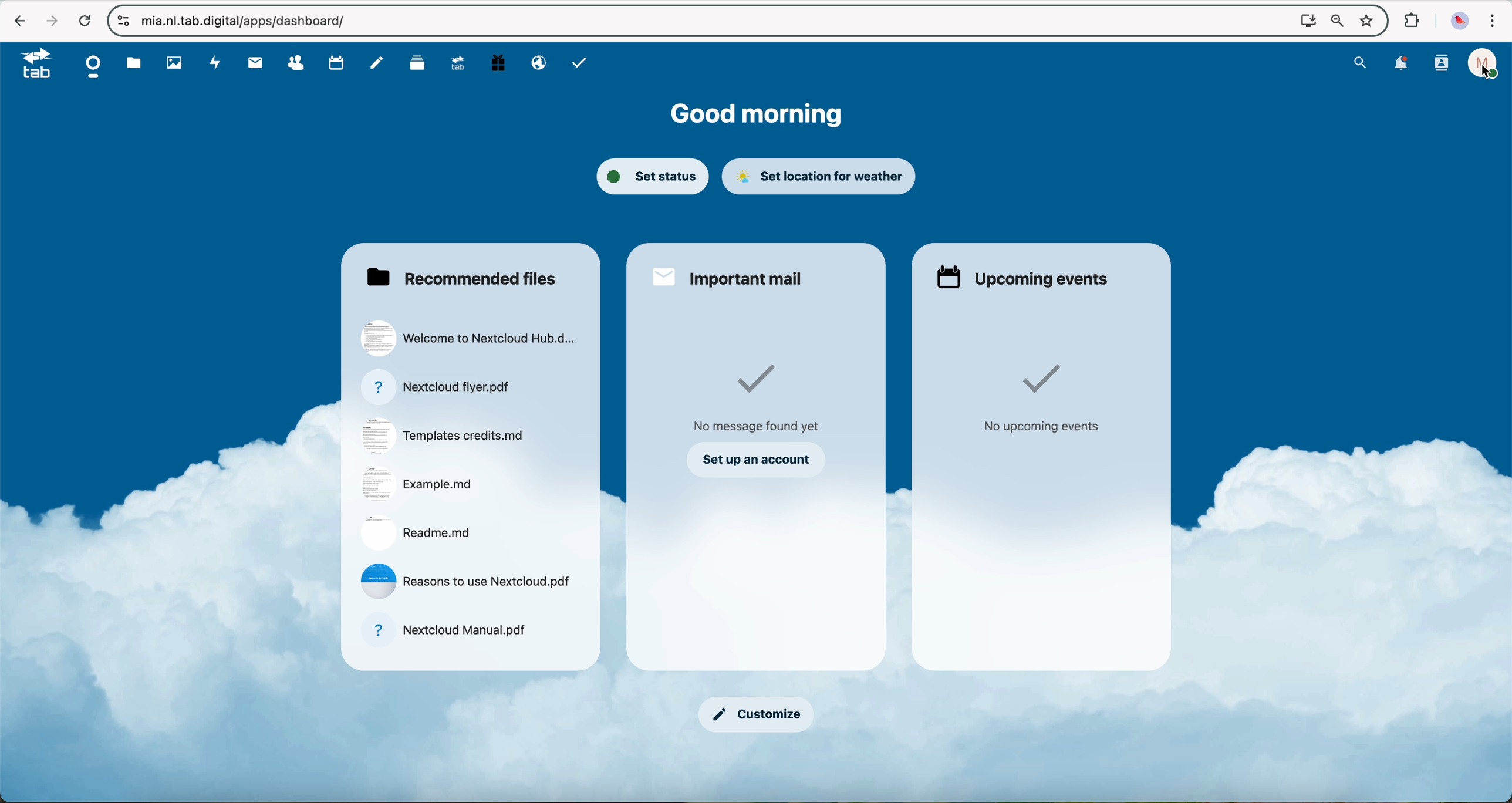 The height and width of the screenshot is (803, 1512). What do you see at coordinates (31, 65) in the screenshot?
I see `tab logo` at bounding box center [31, 65].